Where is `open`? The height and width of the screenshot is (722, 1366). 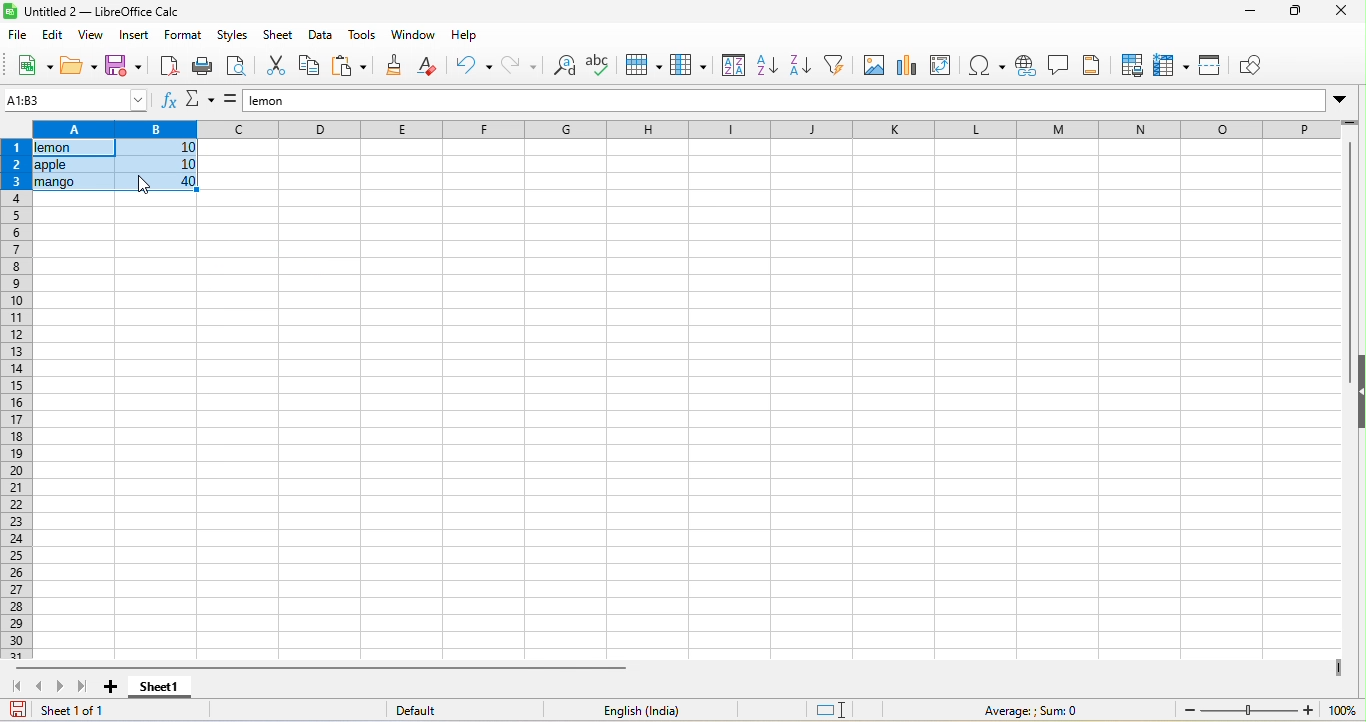 open is located at coordinates (78, 66).